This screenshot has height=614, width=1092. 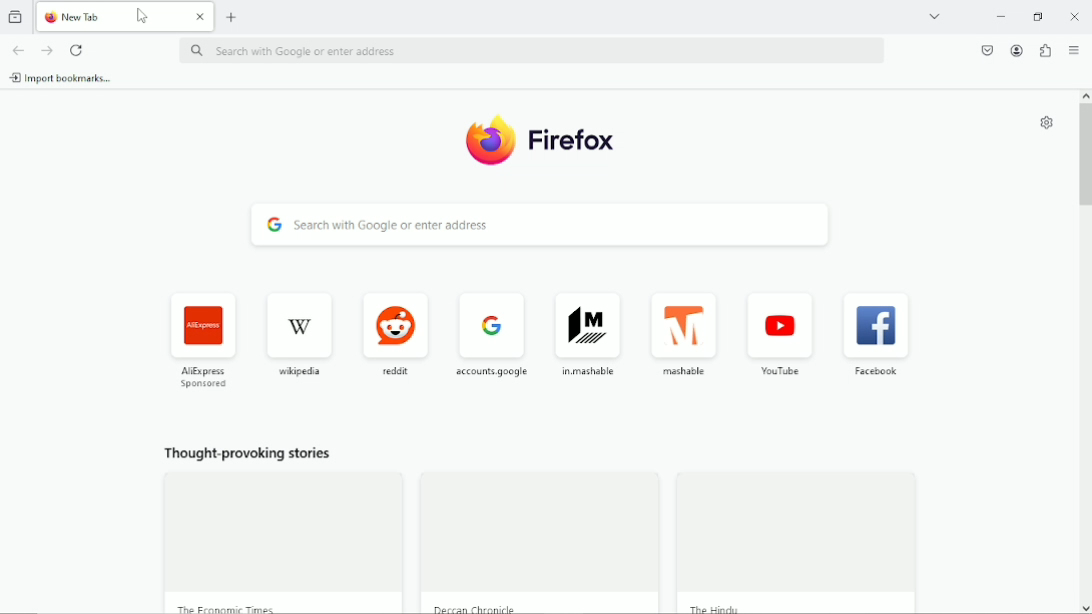 I want to click on Extensions, so click(x=1045, y=52).